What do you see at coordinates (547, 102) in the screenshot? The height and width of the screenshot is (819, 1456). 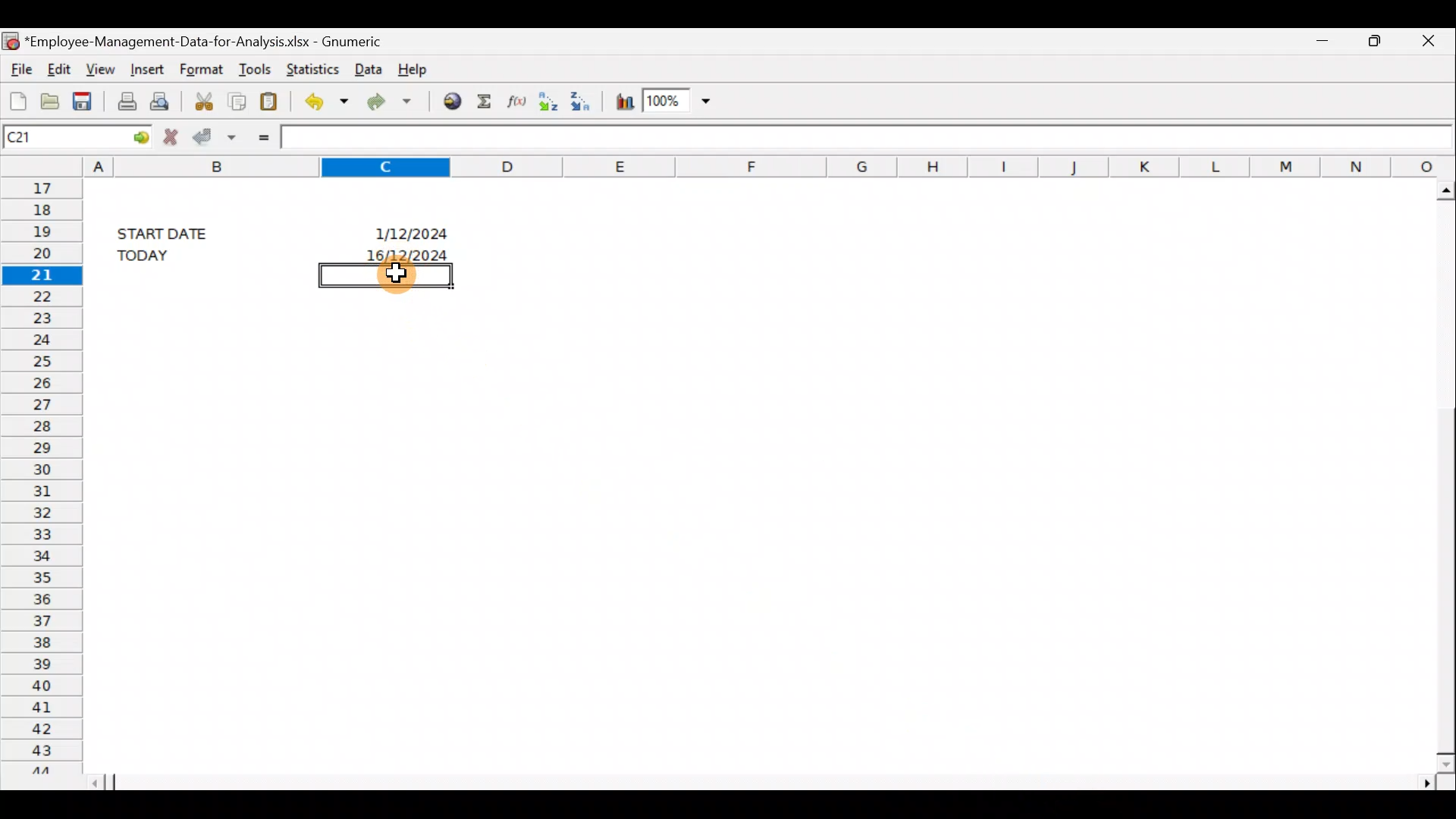 I see `Sort in Ascending order` at bounding box center [547, 102].